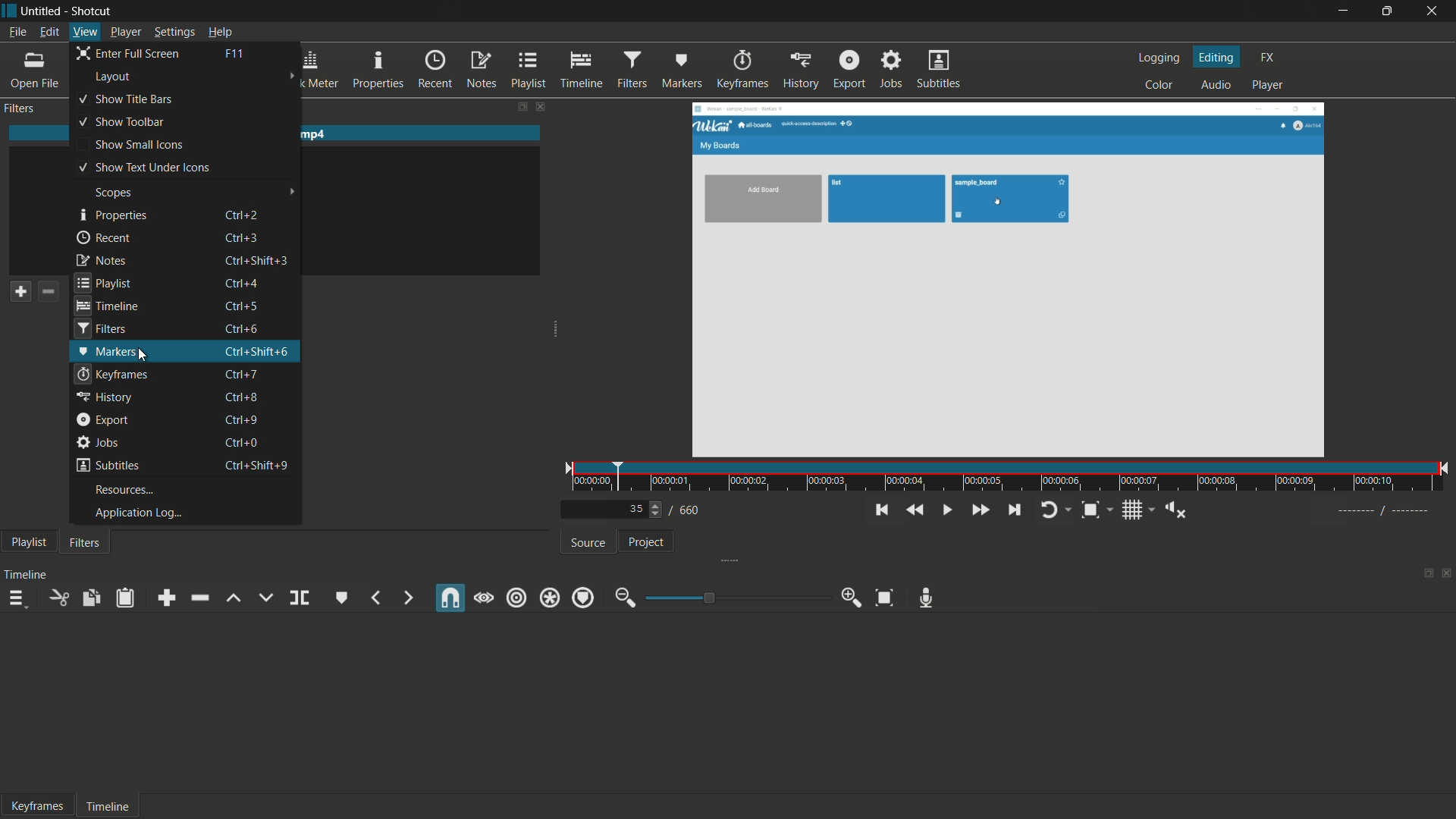  I want to click on history, so click(101, 399).